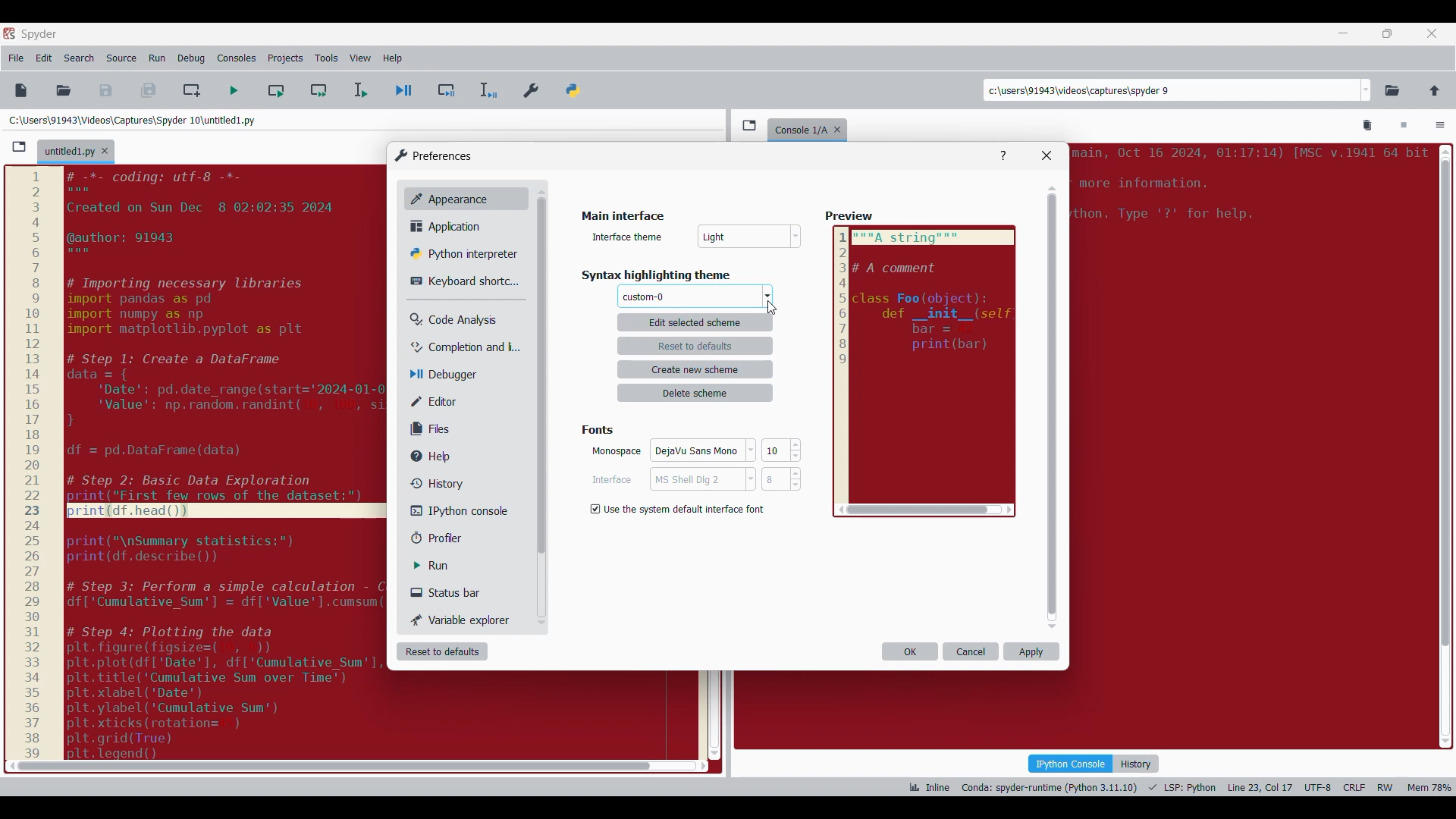 The height and width of the screenshot is (819, 1456). Describe the element at coordinates (1404, 126) in the screenshot. I see `Interrupt kernel` at that location.